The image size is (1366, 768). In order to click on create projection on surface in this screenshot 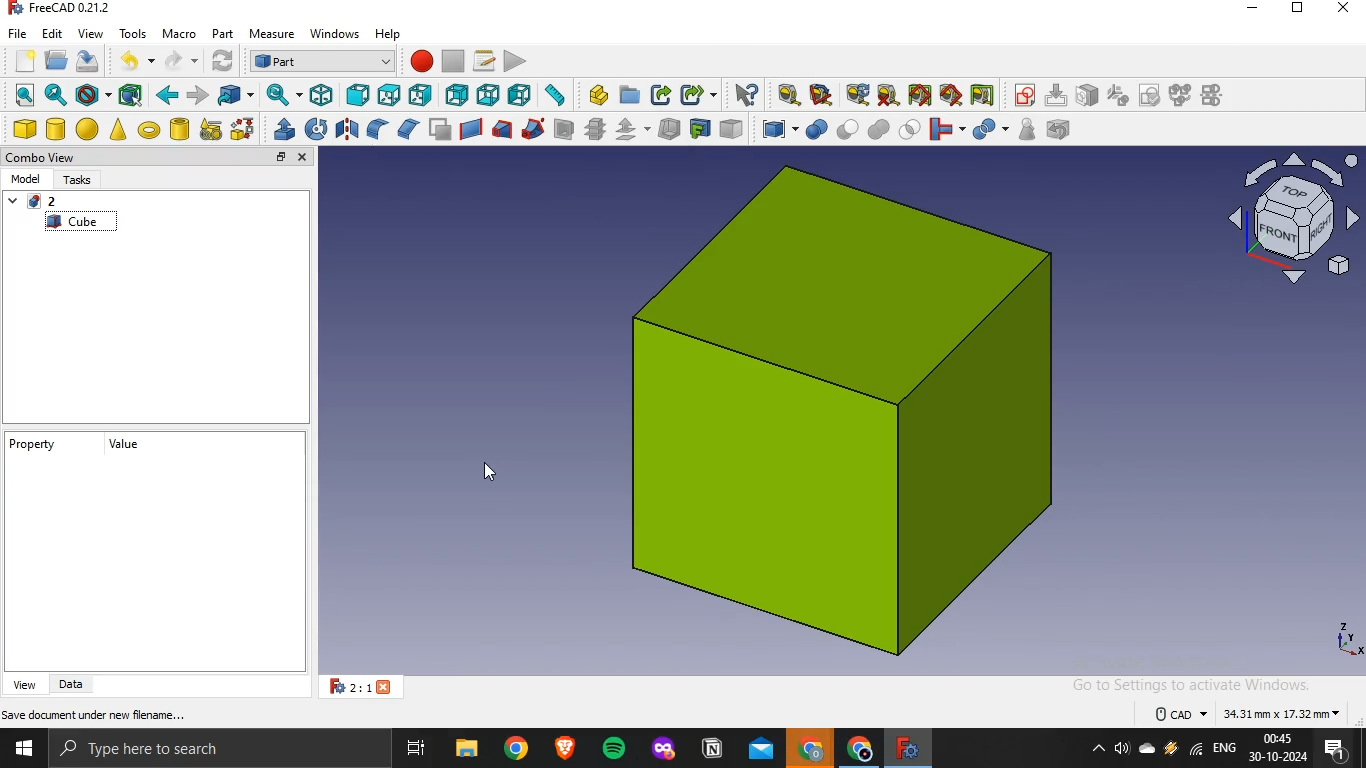, I will do `click(699, 130)`.